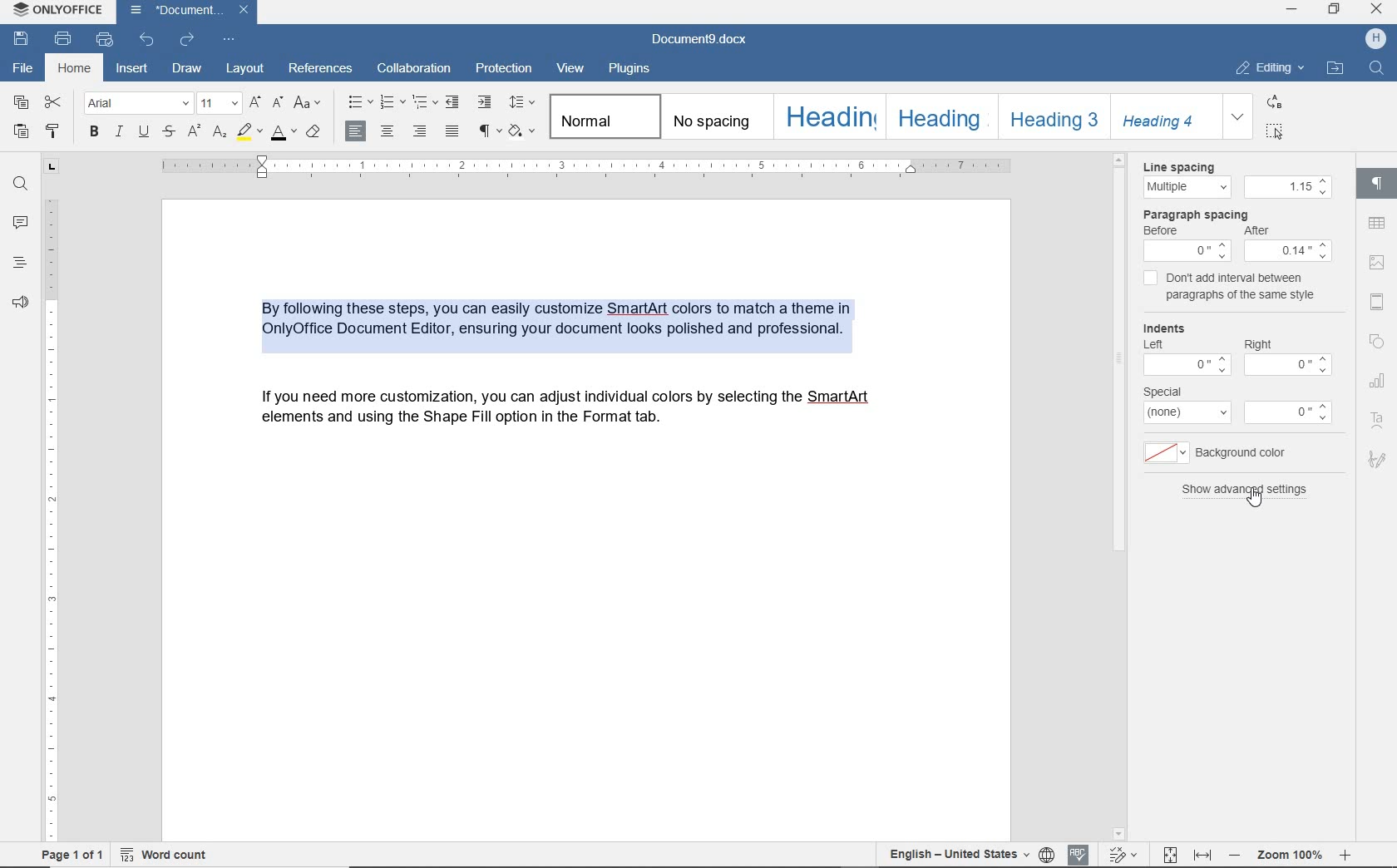  I want to click on expand , so click(1238, 117).